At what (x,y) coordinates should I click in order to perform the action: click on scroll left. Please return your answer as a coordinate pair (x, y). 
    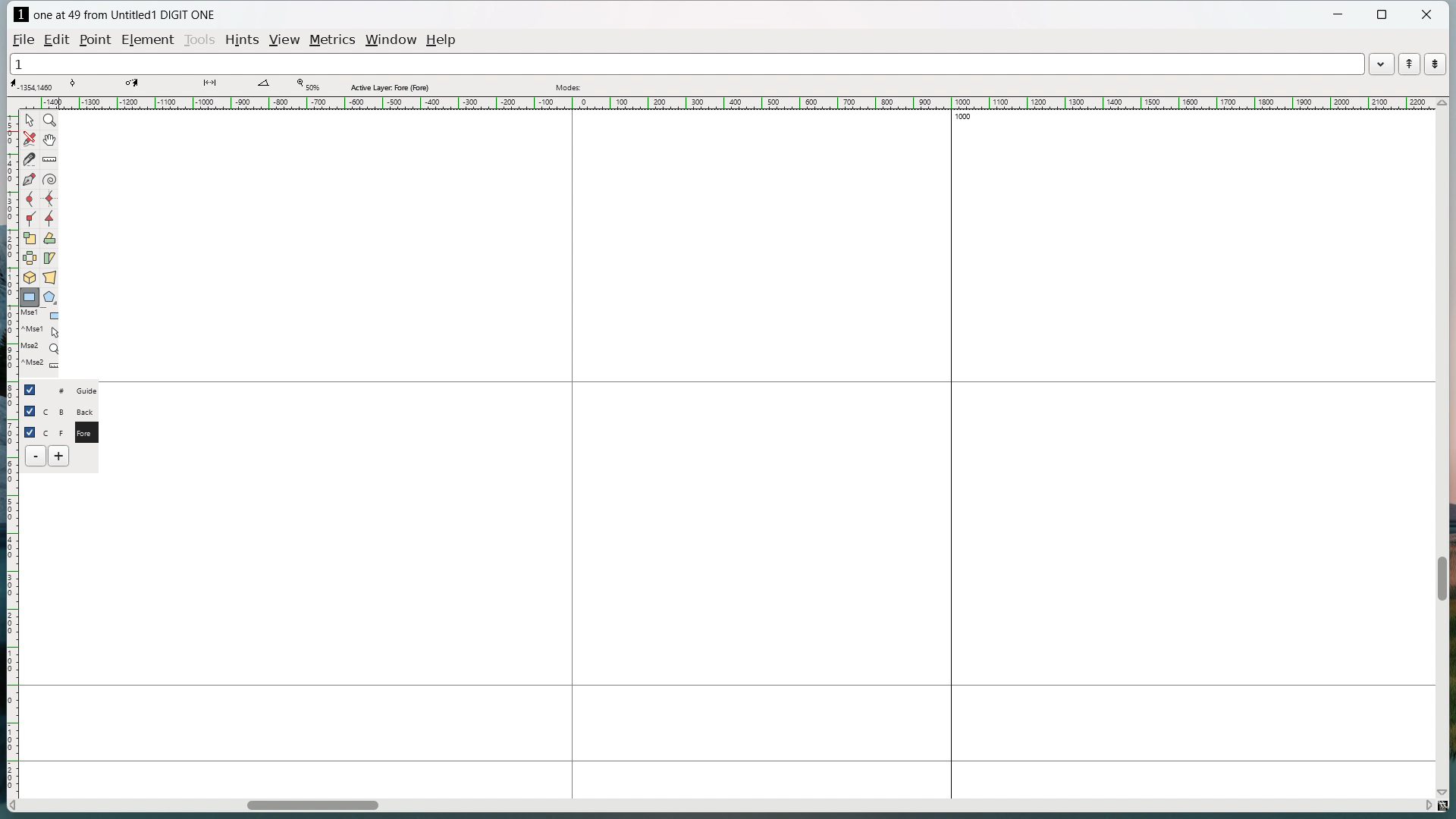
    Looking at the image, I should click on (14, 806).